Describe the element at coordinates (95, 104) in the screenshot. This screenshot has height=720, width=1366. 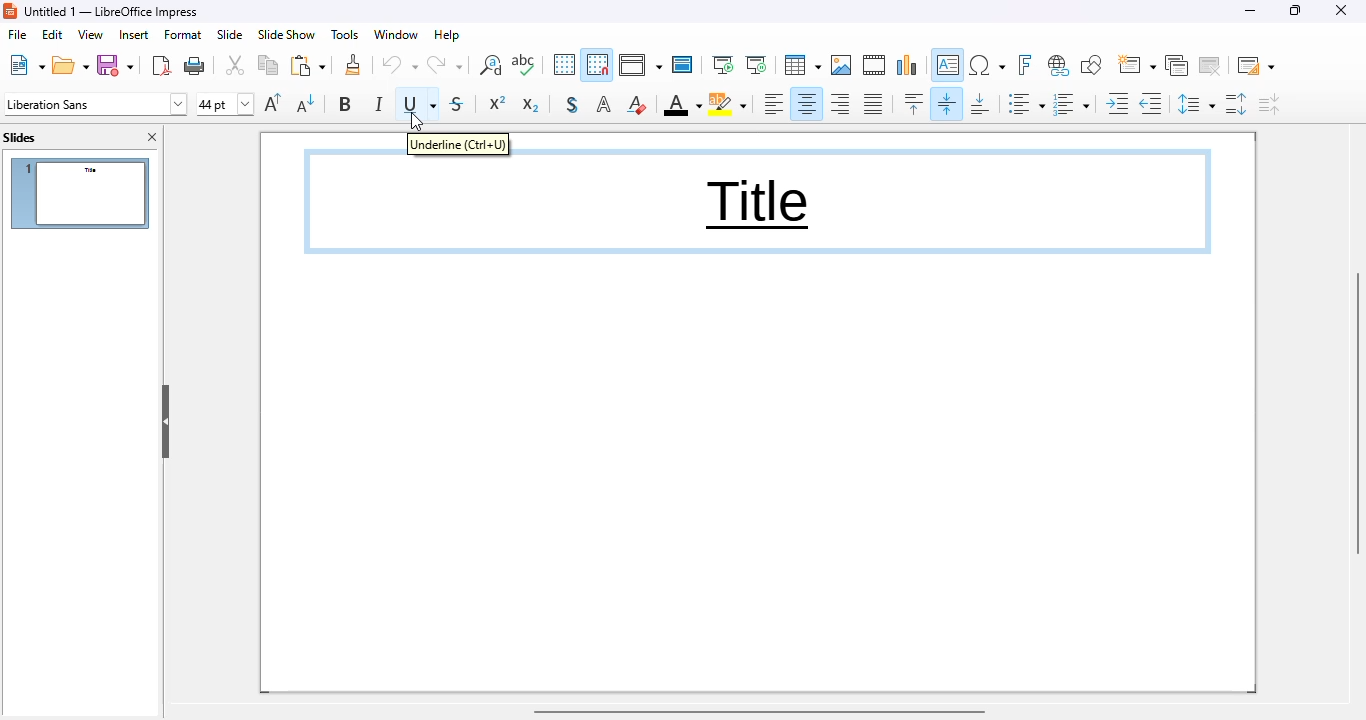
I see `font name` at that location.